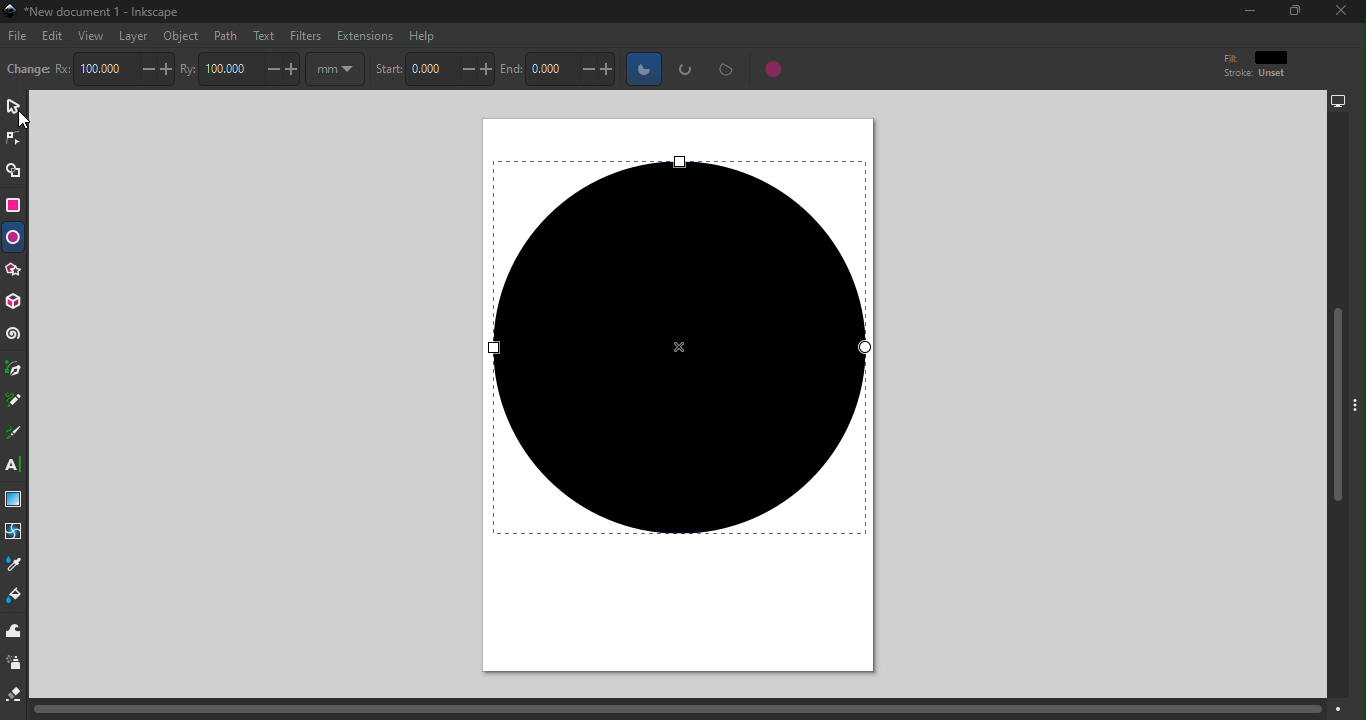 This screenshot has width=1366, height=720. What do you see at coordinates (14, 499) in the screenshot?
I see `Gradient` at bounding box center [14, 499].